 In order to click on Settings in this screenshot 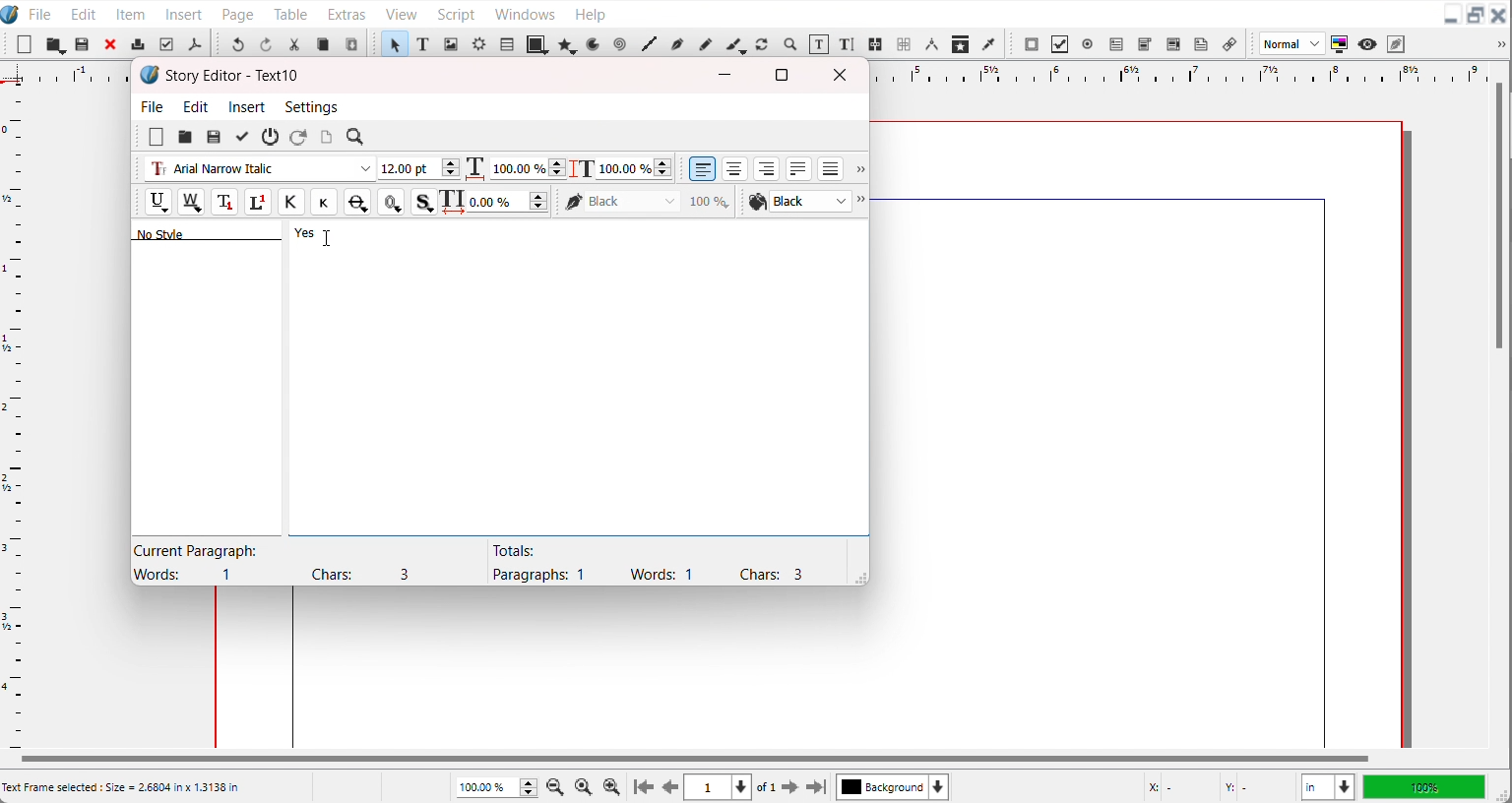, I will do `click(311, 106)`.